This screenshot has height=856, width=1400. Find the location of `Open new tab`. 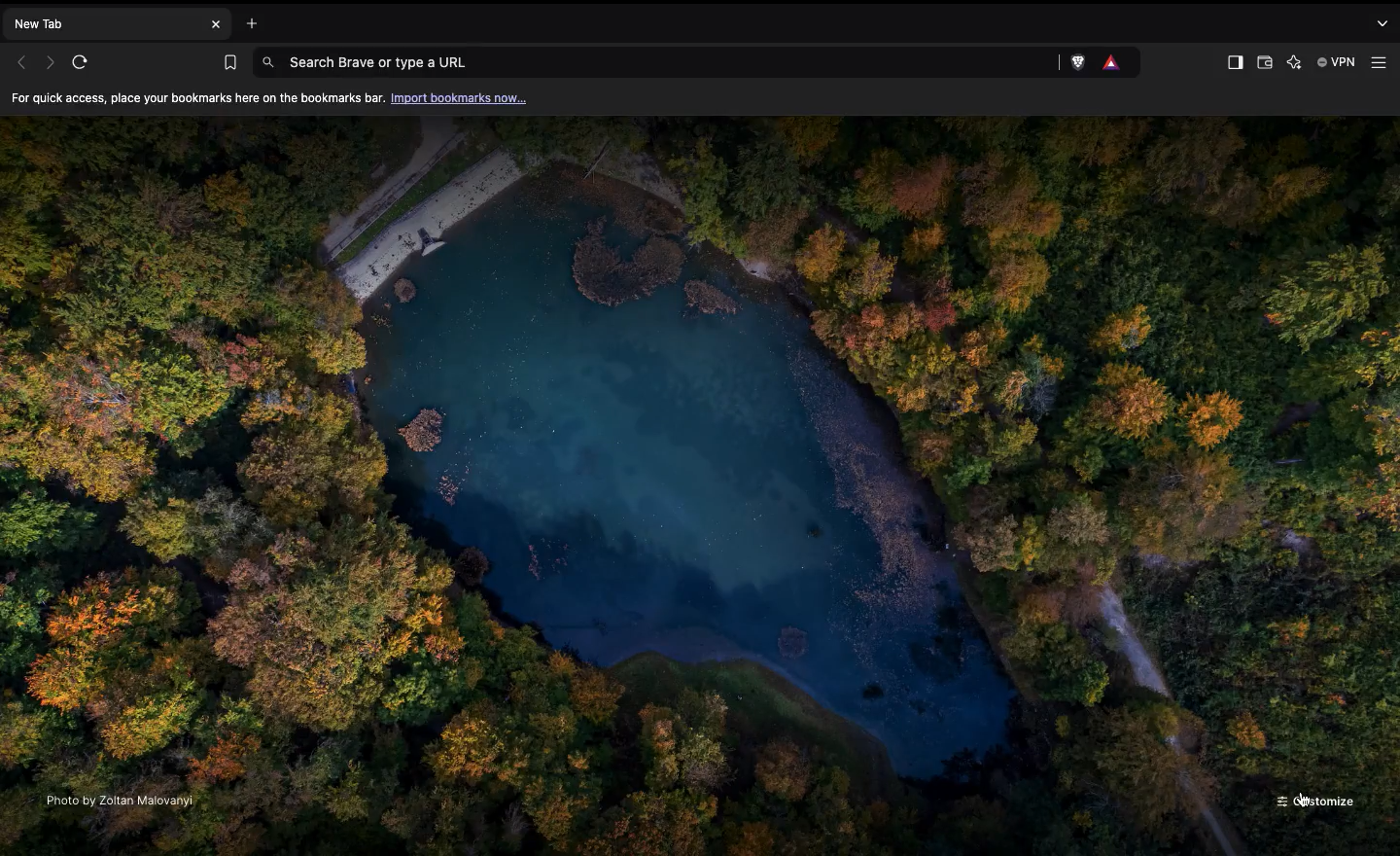

Open new tab is located at coordinates (247, 21).